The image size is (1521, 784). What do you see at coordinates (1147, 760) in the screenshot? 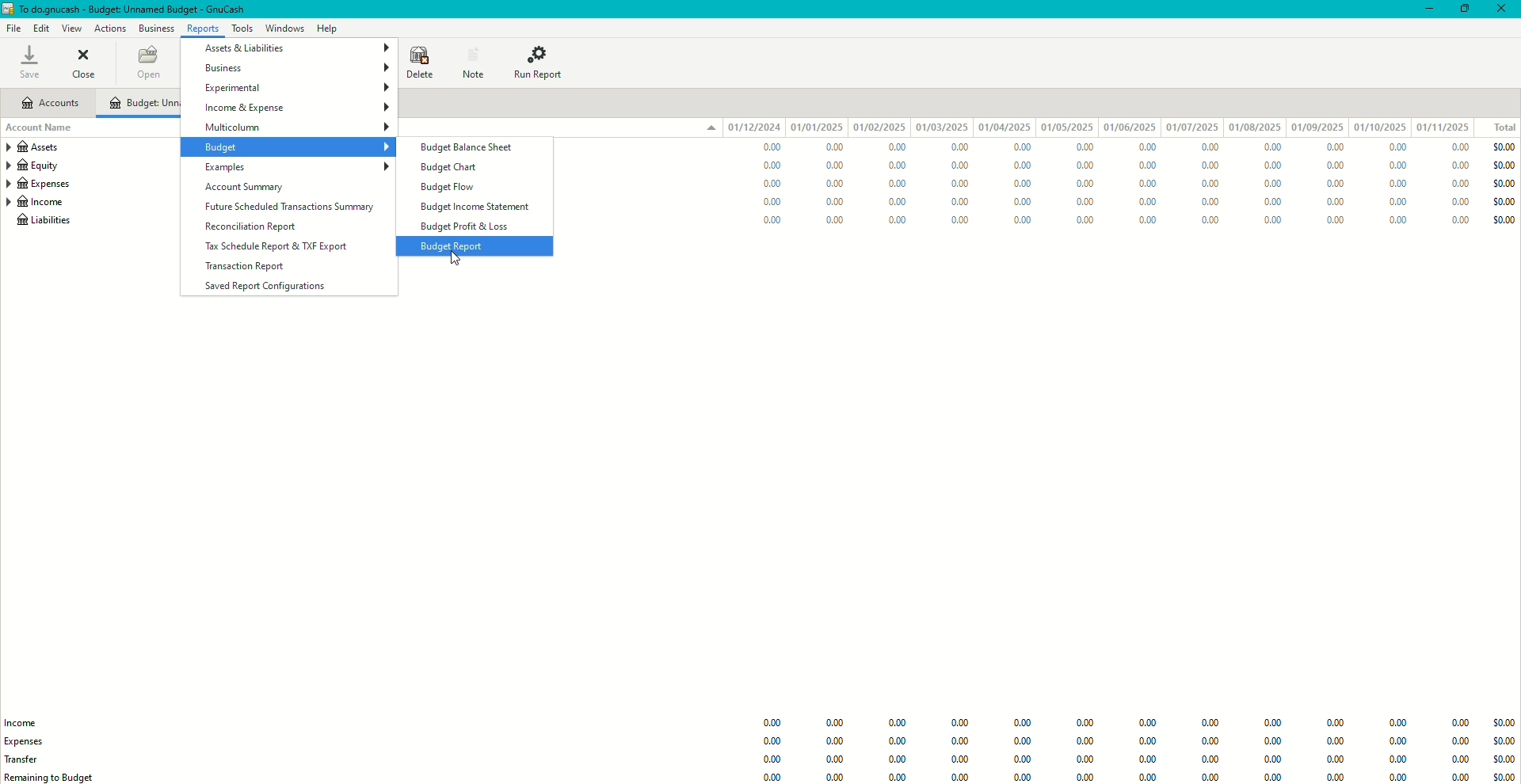
I see `0.00` at bounding box center [1147, 760].